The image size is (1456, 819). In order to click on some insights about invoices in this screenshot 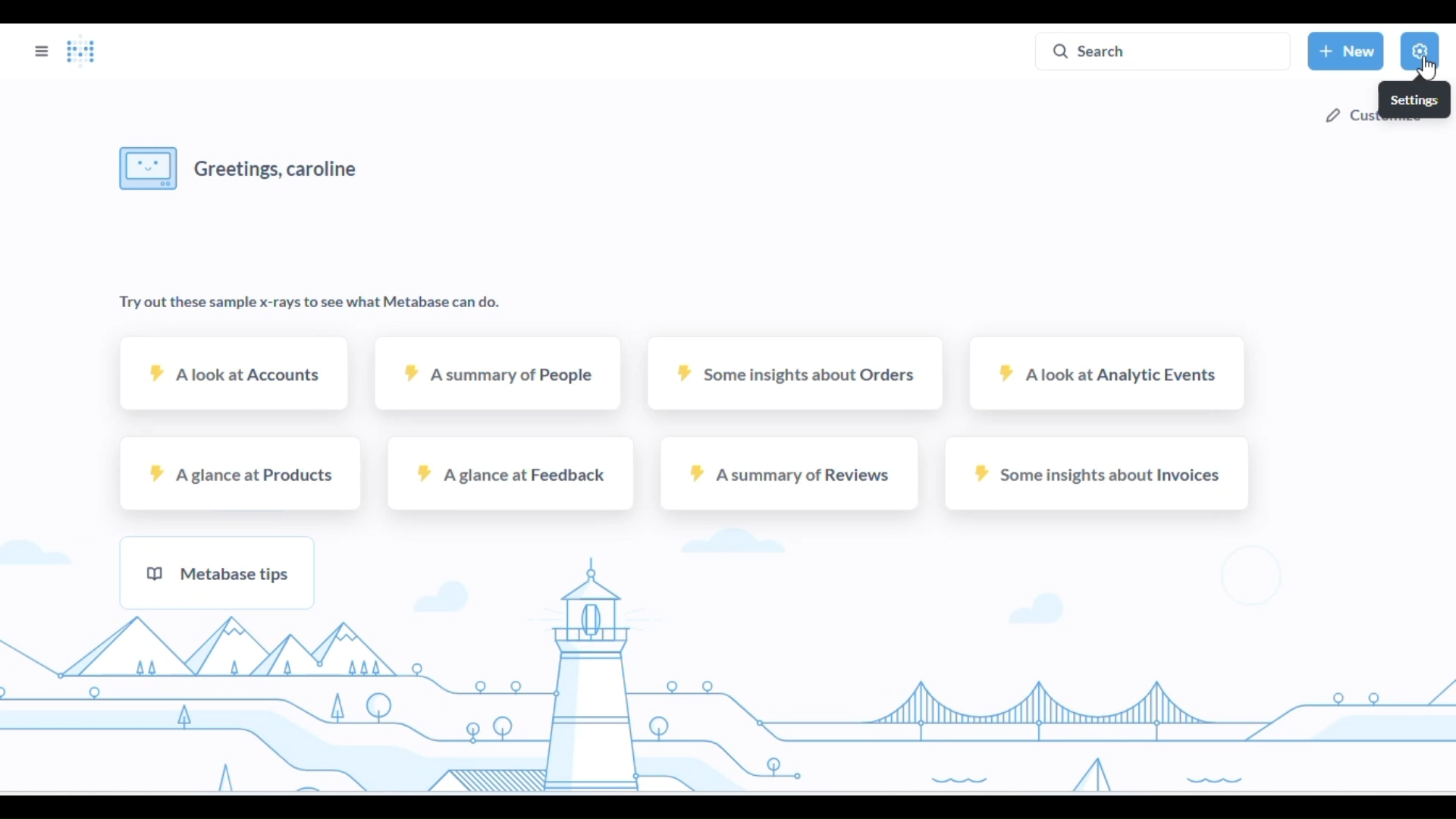, I will do `click(1097, 473)`.